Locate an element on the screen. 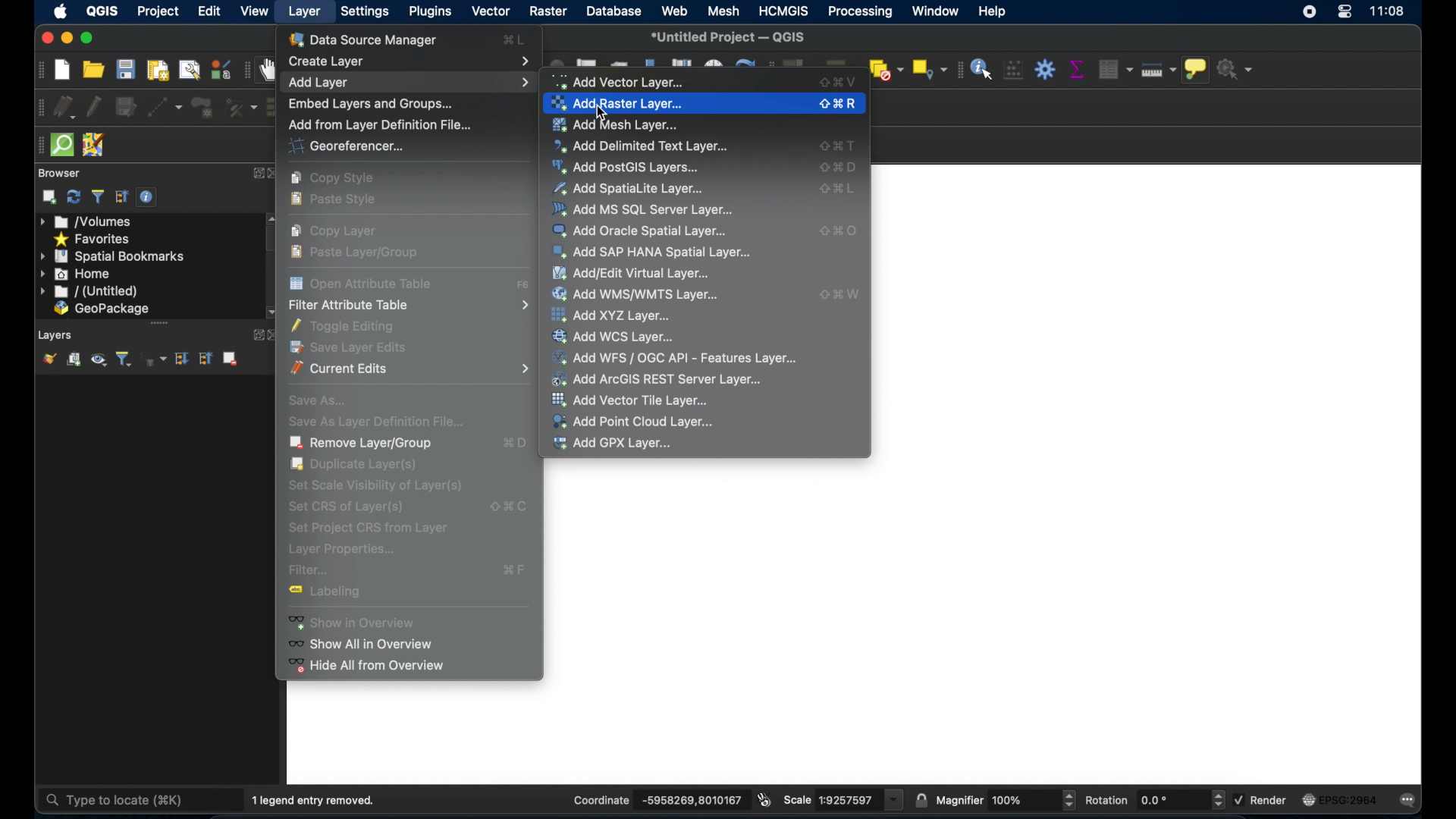  add oracle spatial layer is located at coordinates (641, 231).